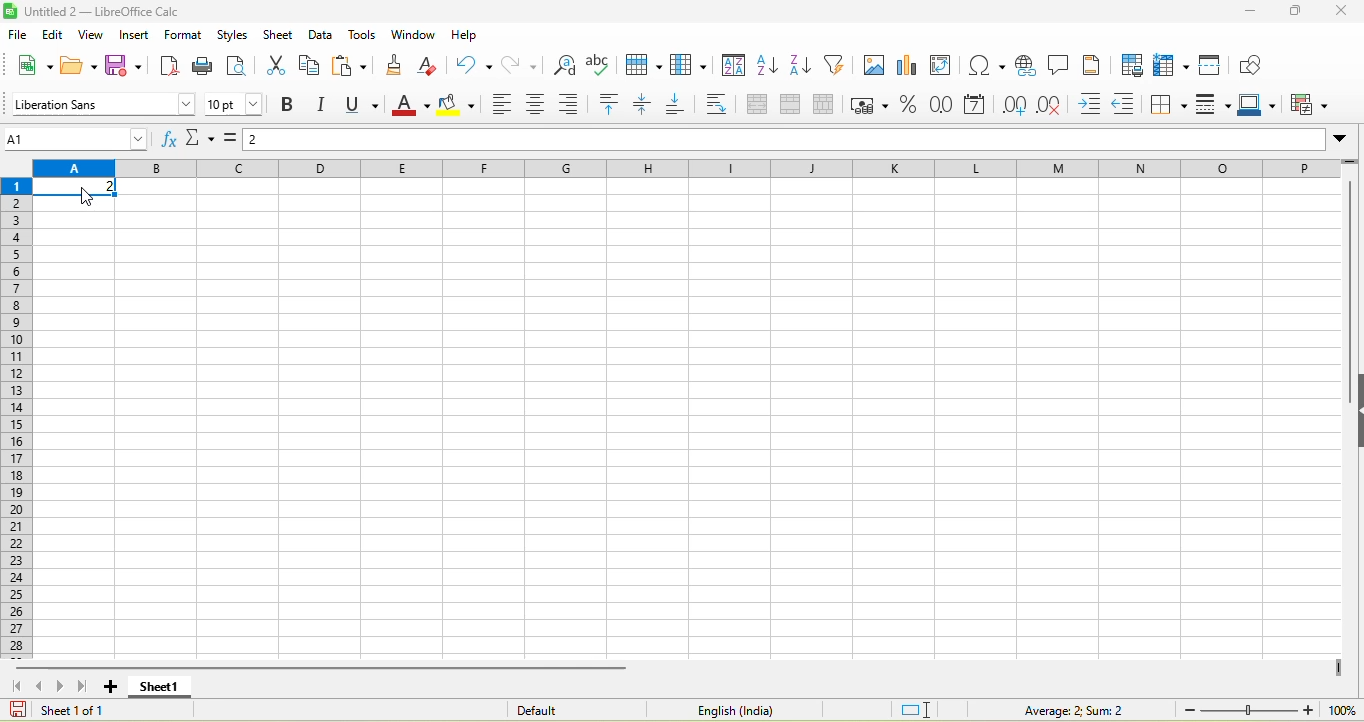 The image size is (1364, 722). What do you see at coordinates (352, 66) in the screenshot?
I see `paste` at bounding box center [352, 66].